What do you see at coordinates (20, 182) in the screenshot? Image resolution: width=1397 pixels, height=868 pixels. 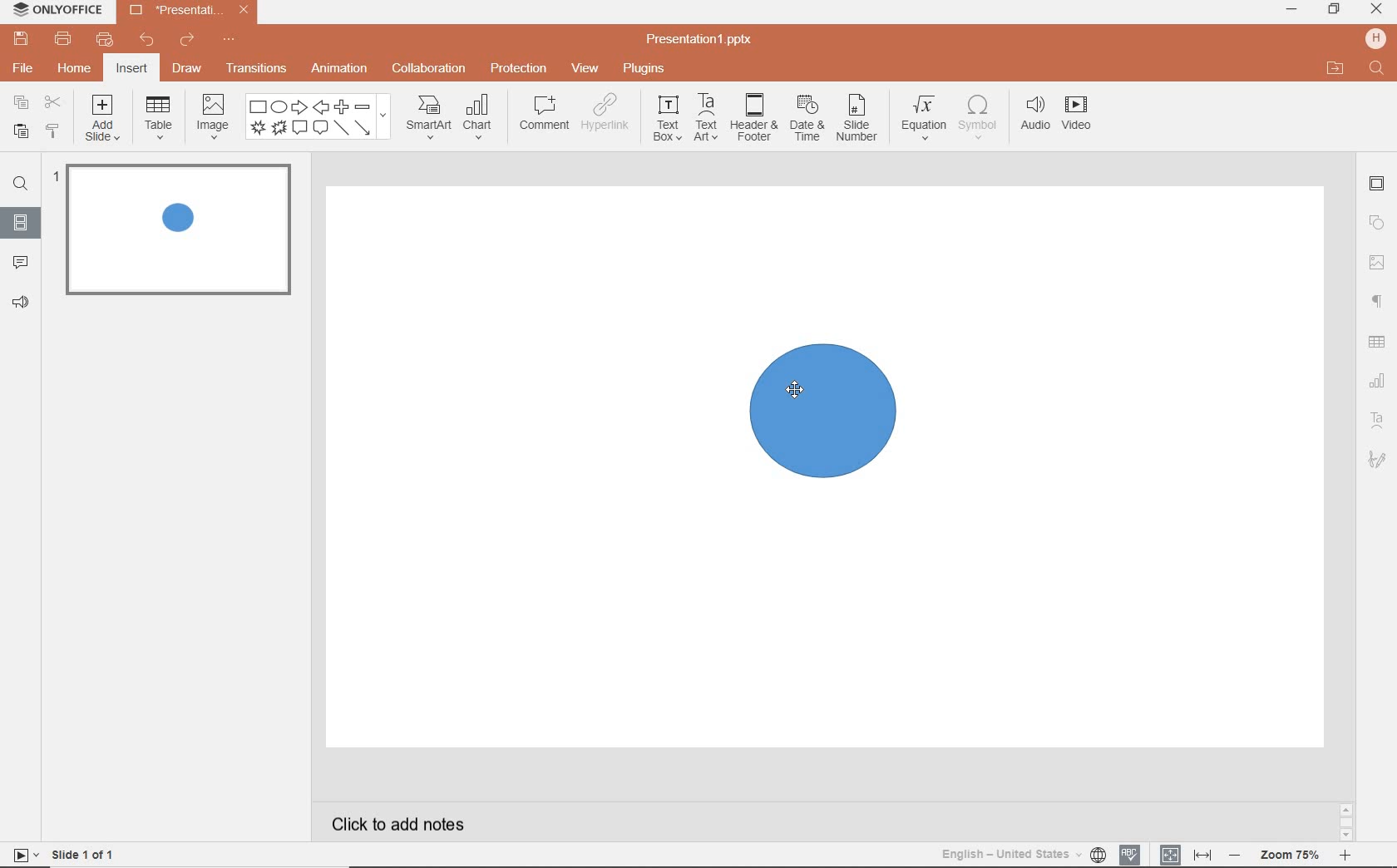 I see `find` at bounding box center [20, 182].